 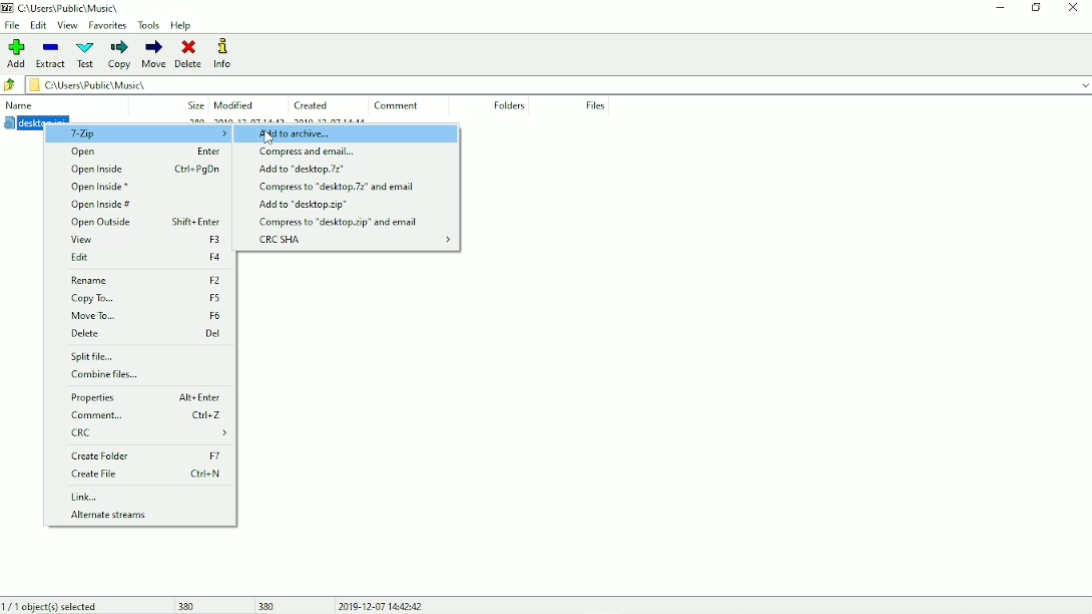 What do you see at coordinates (509, 106) in the screenshot?
I see `Folders` at bounding box center [509, 106].